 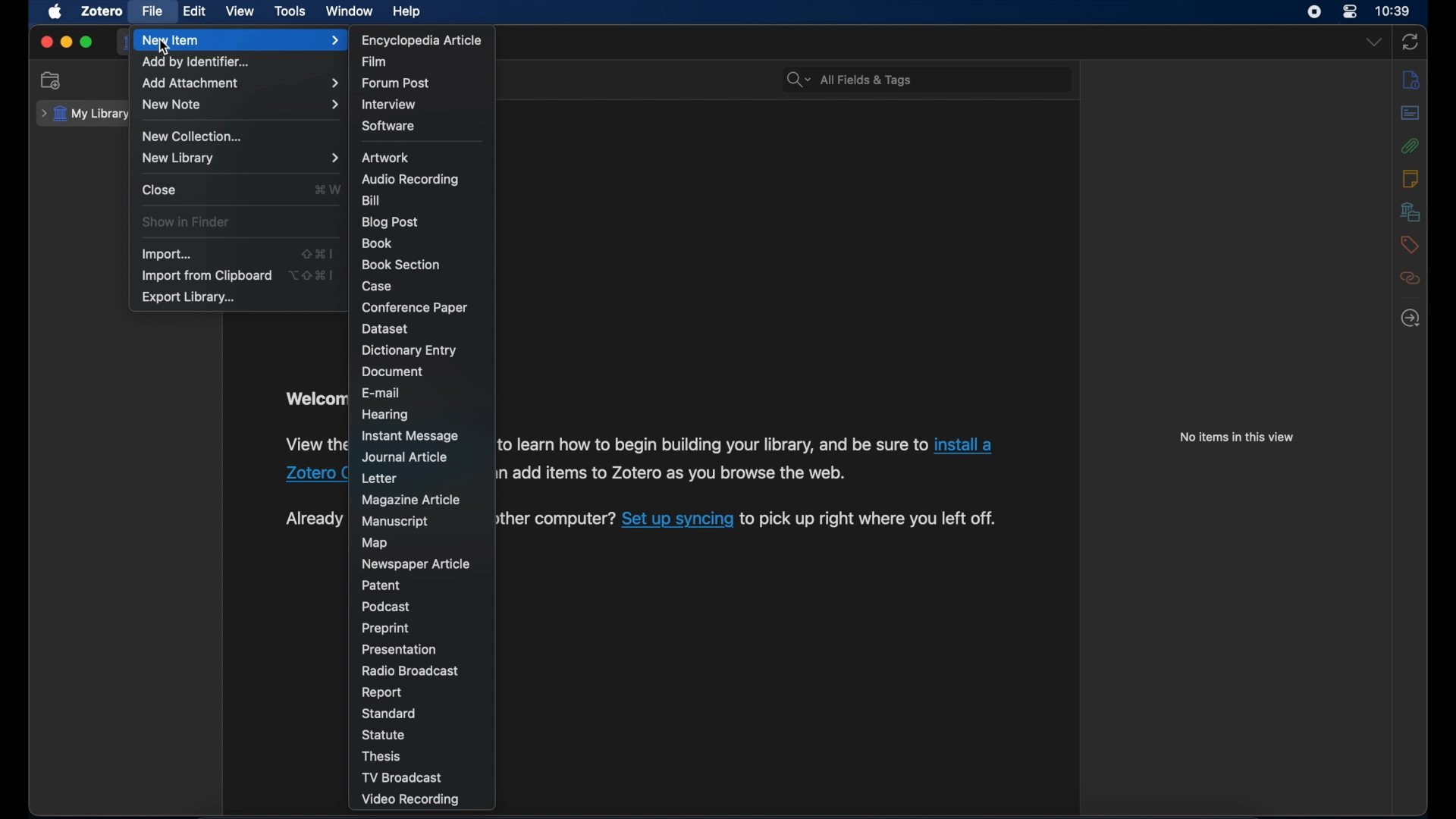 I want to click on instant message, so click(x=413, y=437).